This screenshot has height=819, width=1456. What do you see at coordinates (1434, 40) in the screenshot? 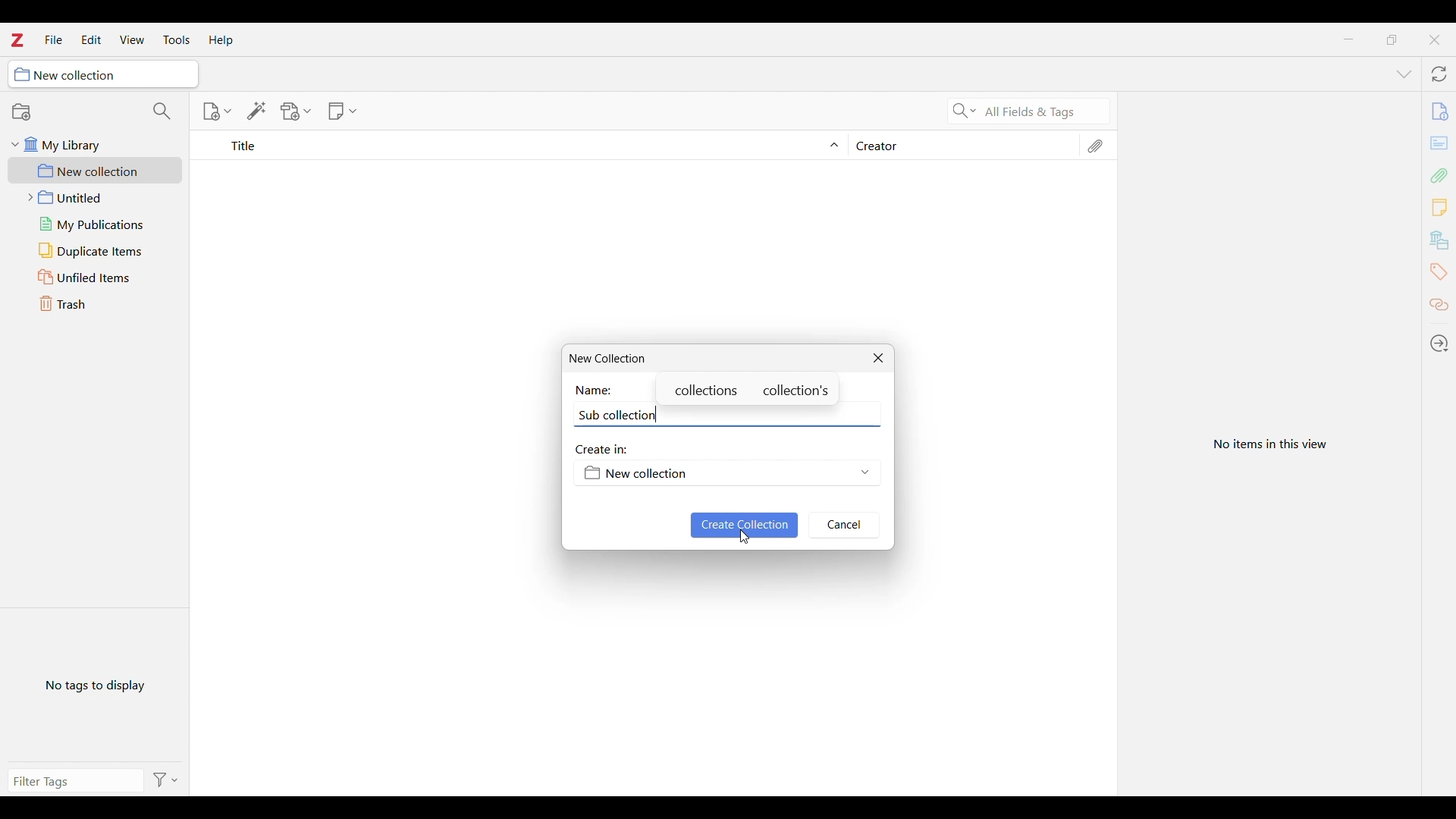
I see `Close interface` at bounding box center [1434, 40].